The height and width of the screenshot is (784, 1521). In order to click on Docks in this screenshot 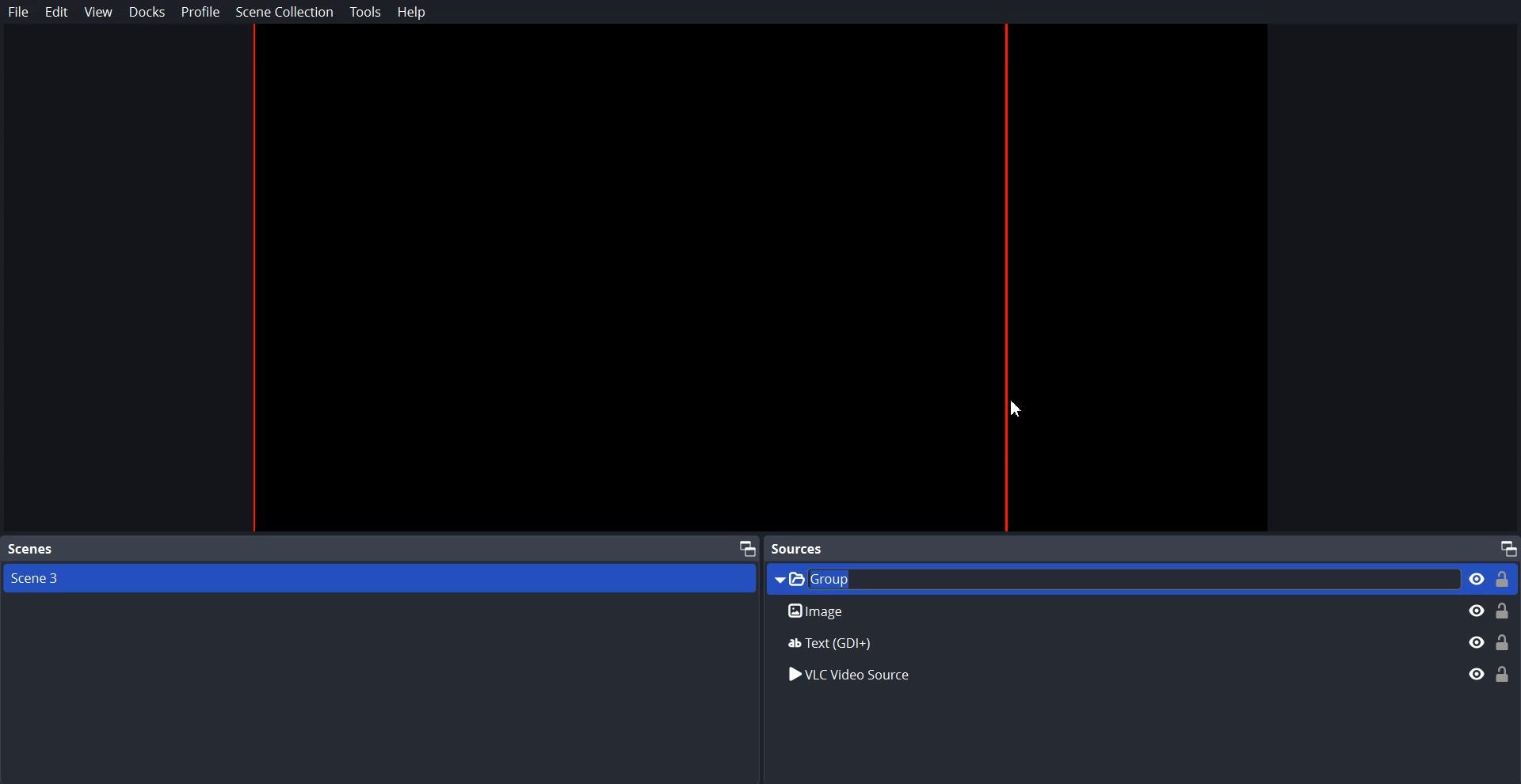, I will do `click(147, 12)`.